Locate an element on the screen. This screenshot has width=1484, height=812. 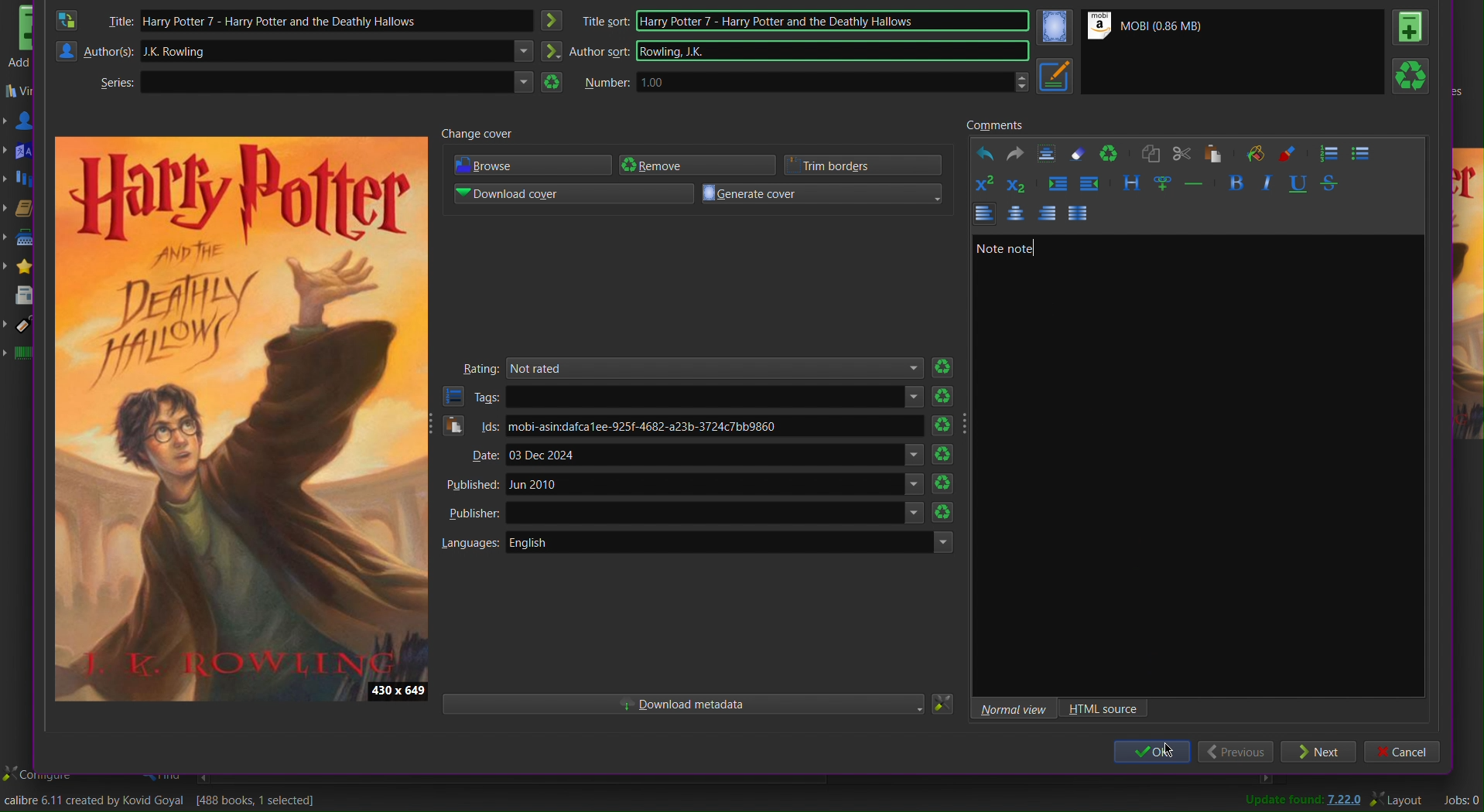
Trim borders is located at coordinates (866, 165).